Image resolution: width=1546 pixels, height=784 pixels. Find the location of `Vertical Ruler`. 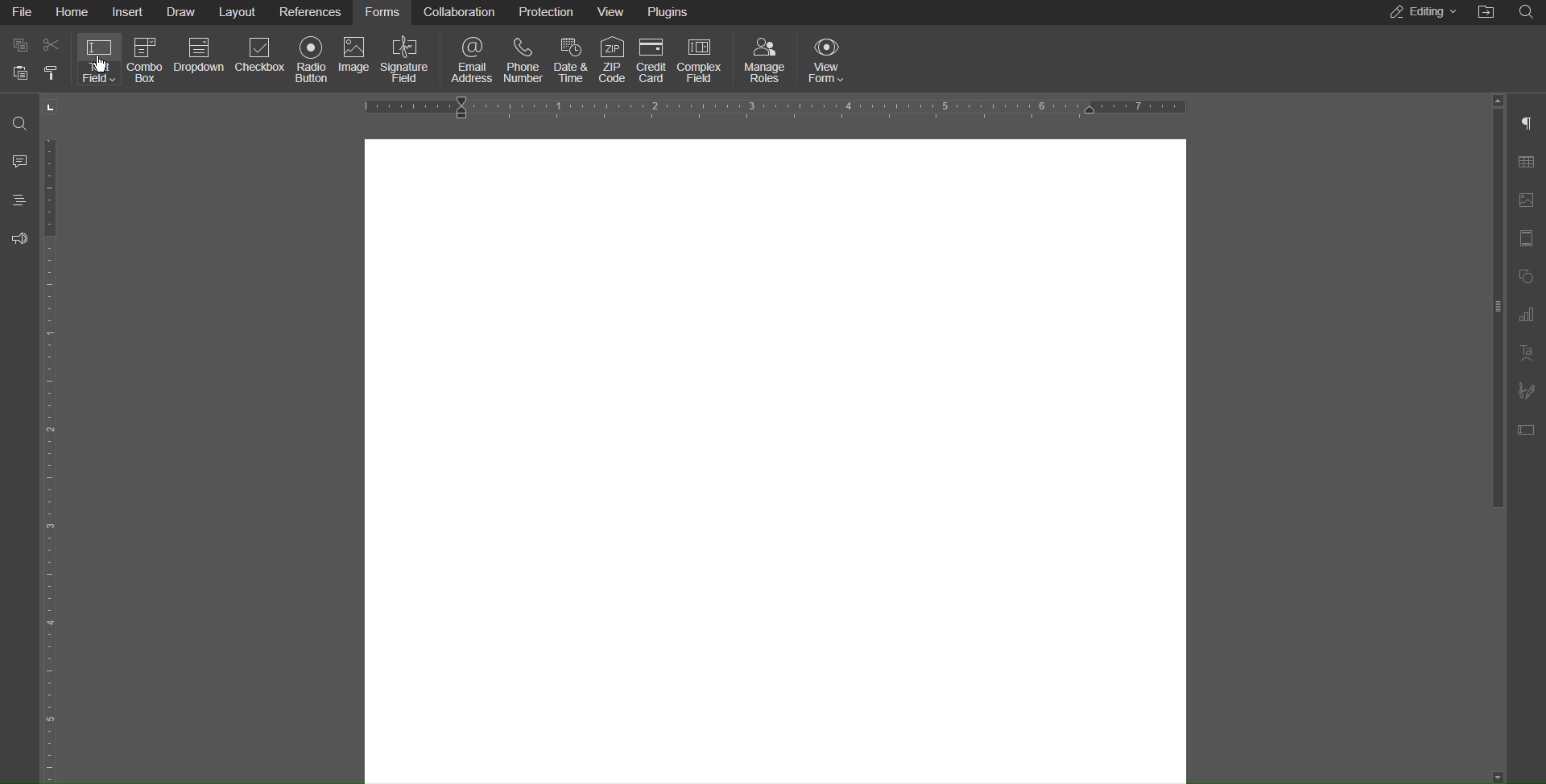

Vertical Ruler is located at coordinates (52, 457).